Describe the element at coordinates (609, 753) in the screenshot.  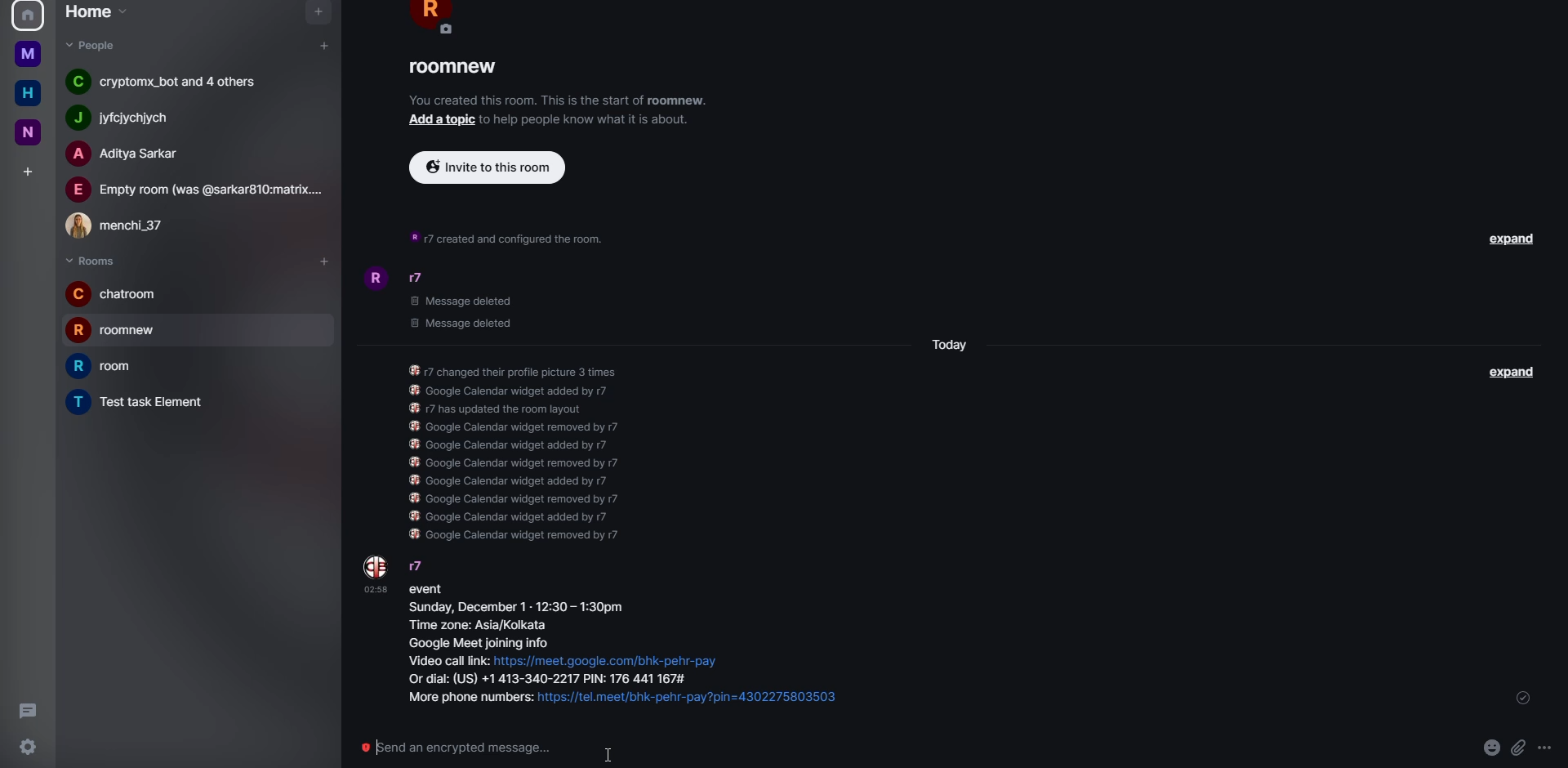
I see `cursor` at that location.